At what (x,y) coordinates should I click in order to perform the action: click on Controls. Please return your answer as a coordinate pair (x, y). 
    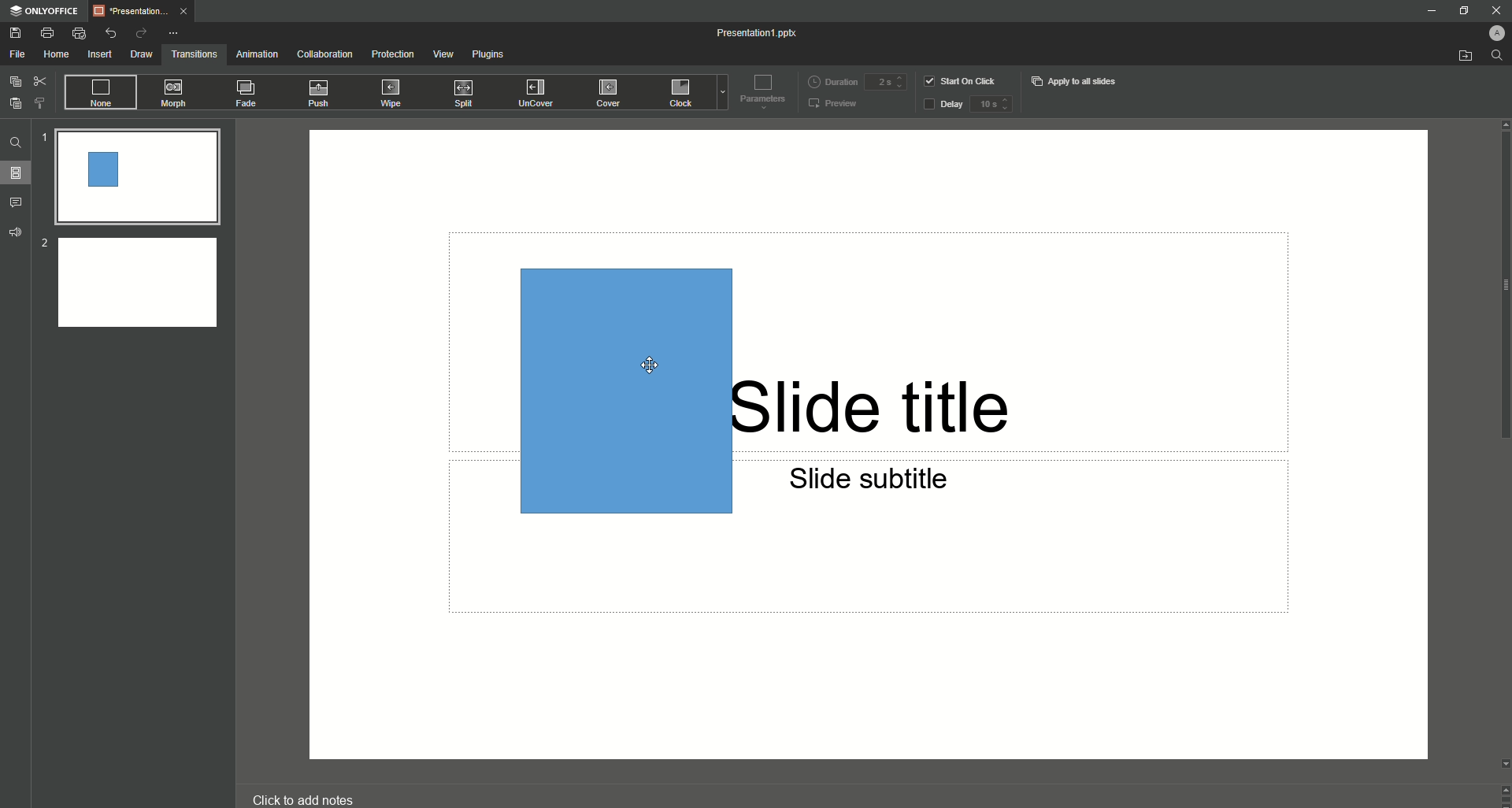
    Looking at the image, I should click on (1503, 795).